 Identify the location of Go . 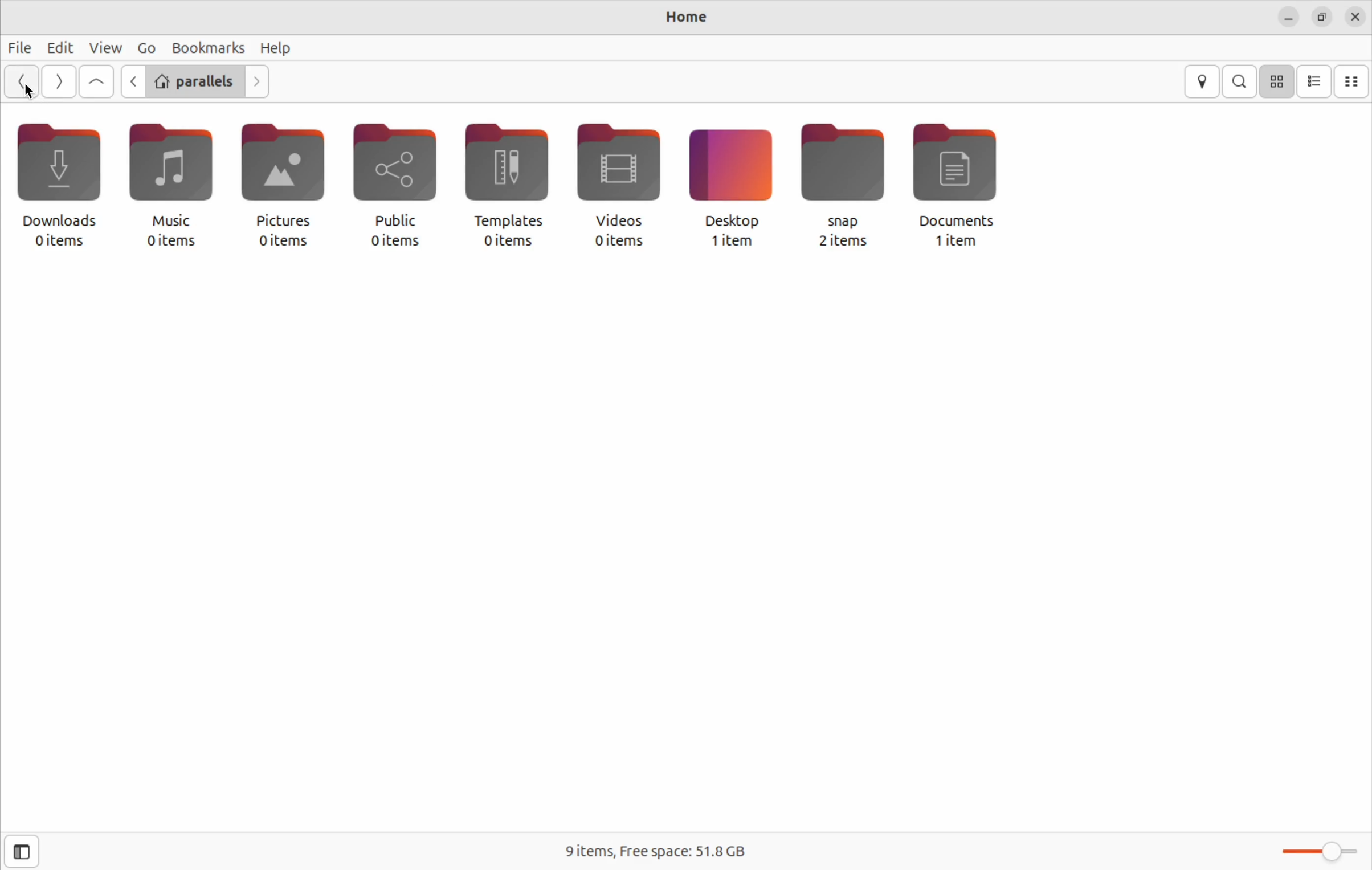
(149, 45).